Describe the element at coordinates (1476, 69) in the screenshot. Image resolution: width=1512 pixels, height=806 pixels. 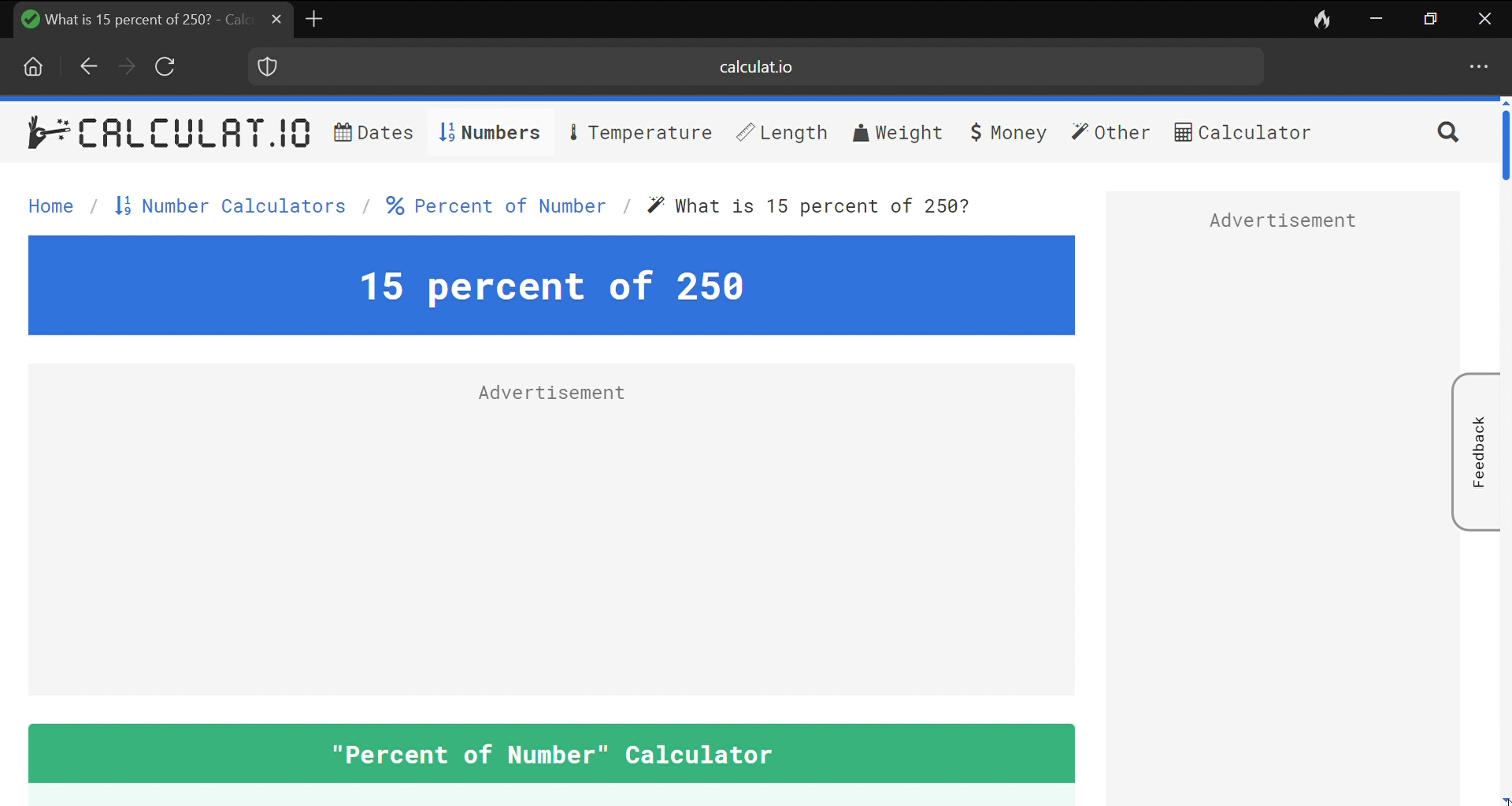
I see `options` at that location.